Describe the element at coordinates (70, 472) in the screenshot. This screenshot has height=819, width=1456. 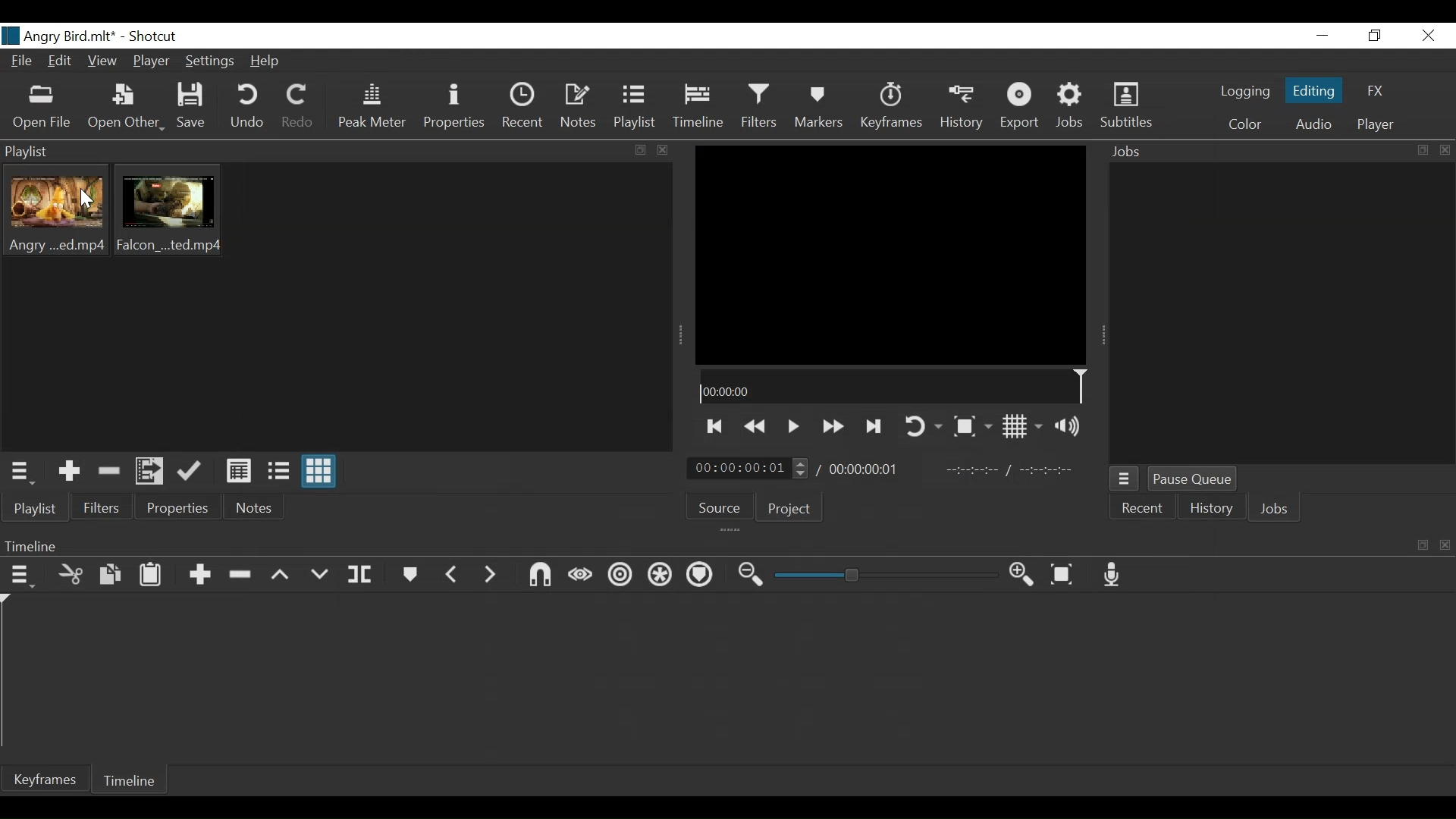
I see `Add the Source to the laylist` at that location.